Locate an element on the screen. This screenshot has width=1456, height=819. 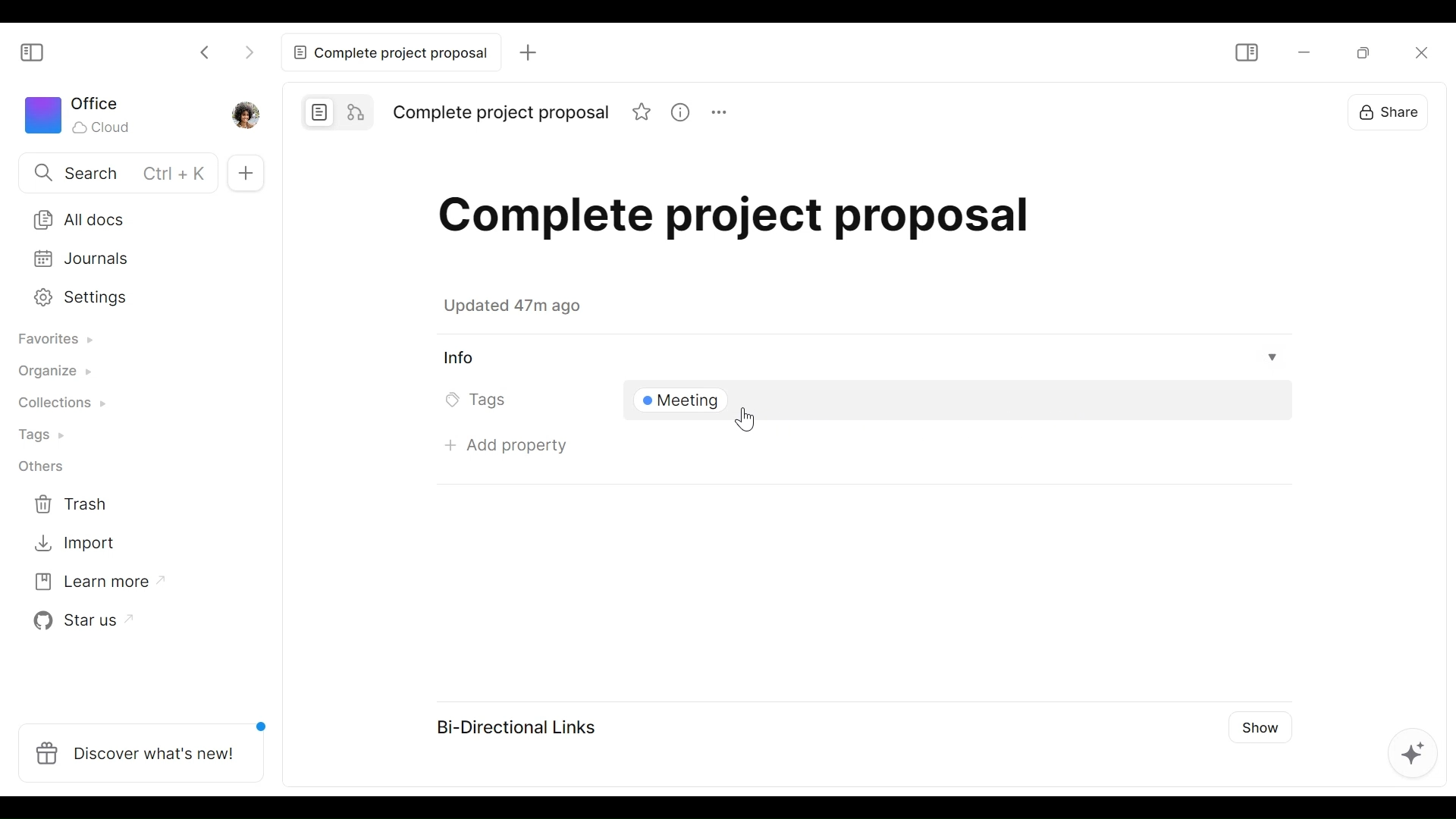
Show is located at coordinates (1259, 732).